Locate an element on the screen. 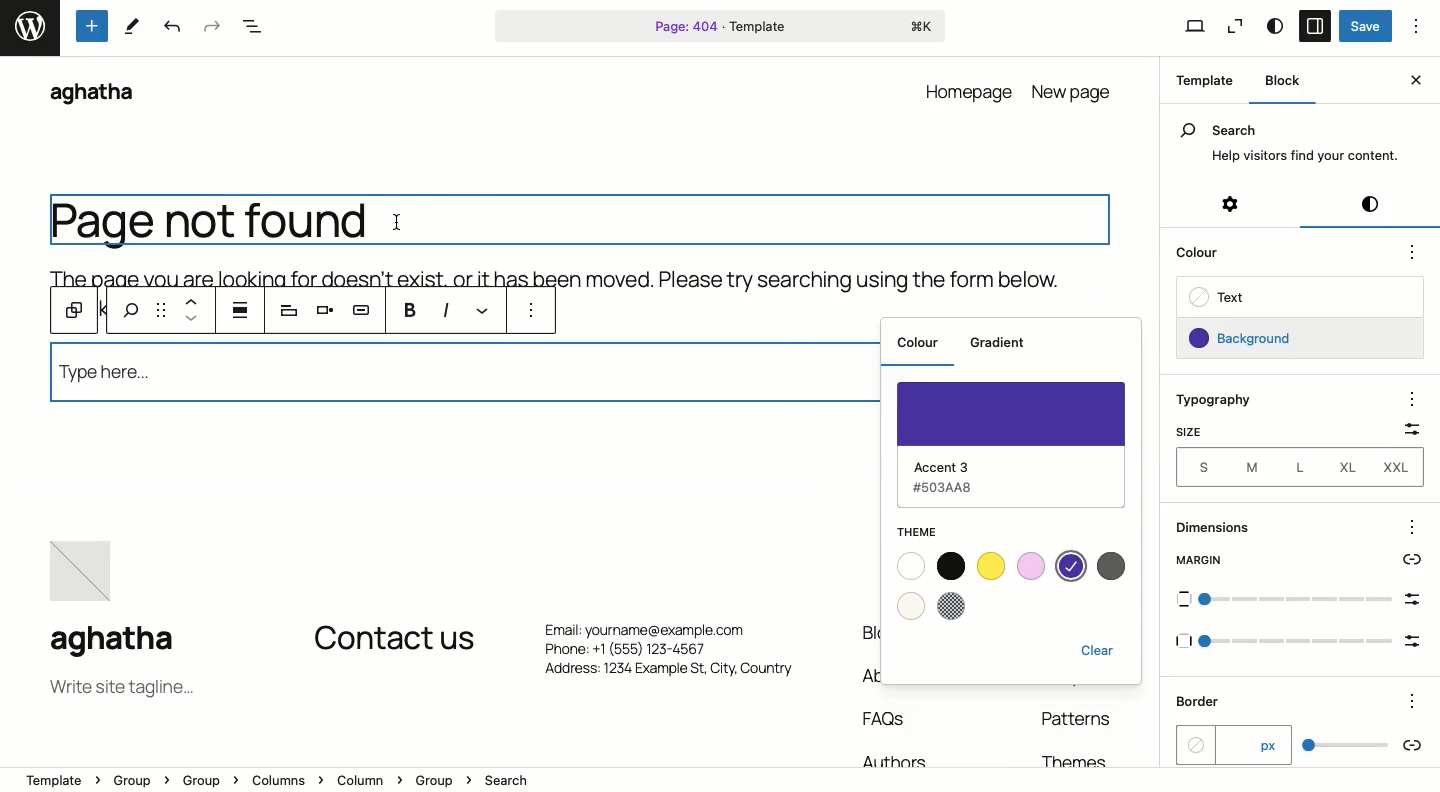  Document overview is located at coordinates (252, 27).